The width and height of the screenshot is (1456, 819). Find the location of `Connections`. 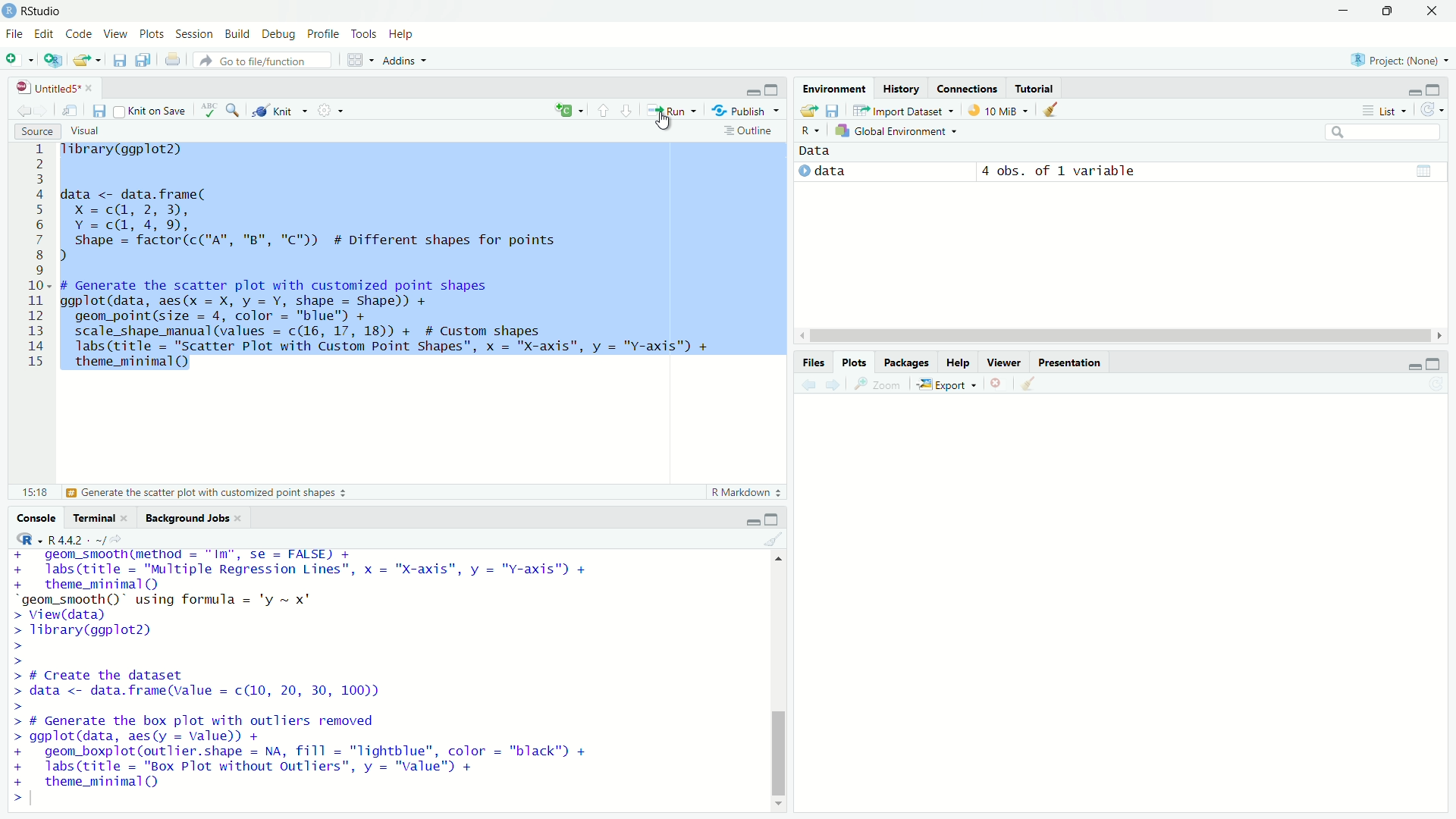

Connections is located at coordinates (966, 87).